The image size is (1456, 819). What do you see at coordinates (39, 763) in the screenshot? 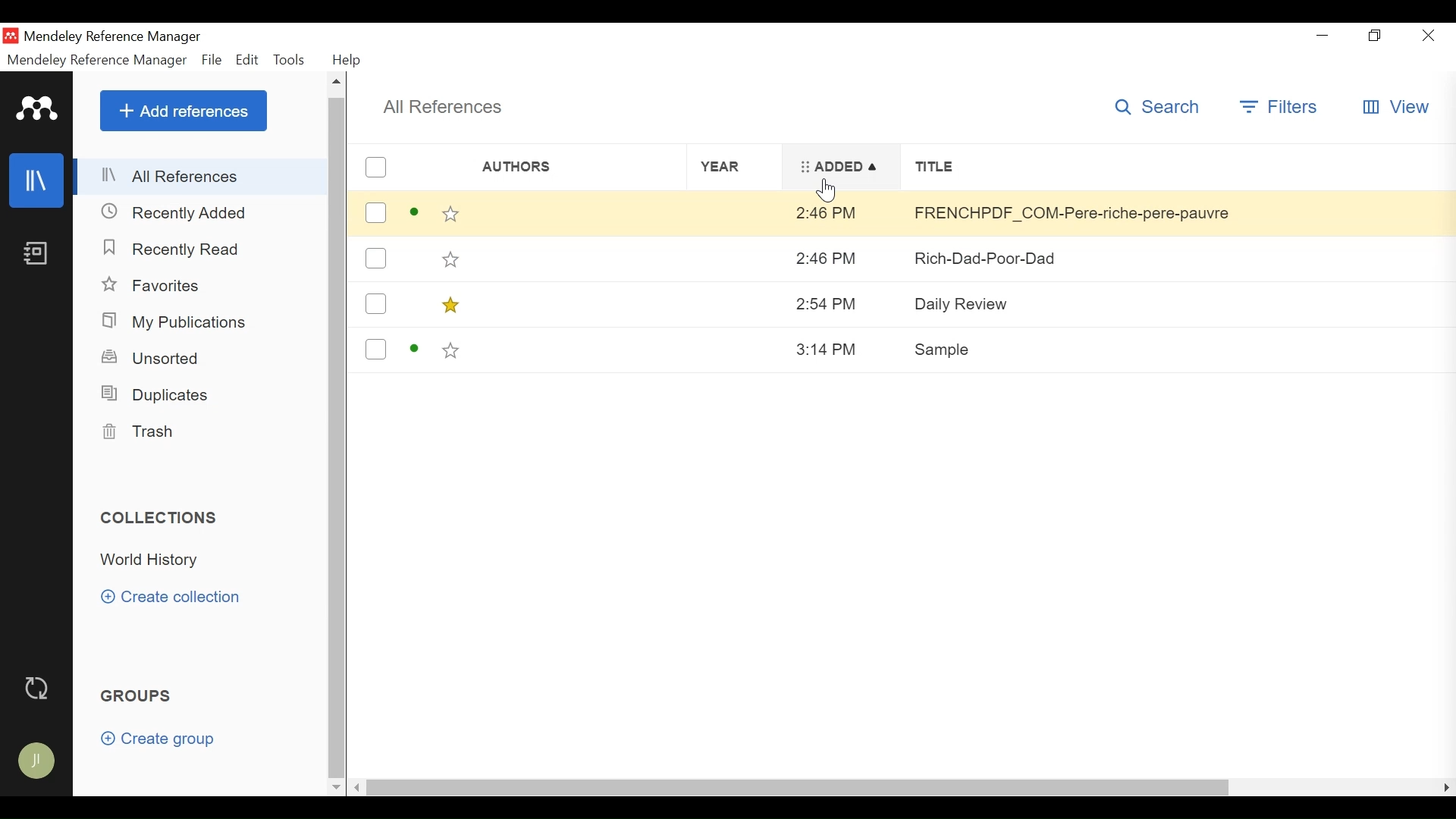
I see `Avatar` at bounding box center [39, 763].